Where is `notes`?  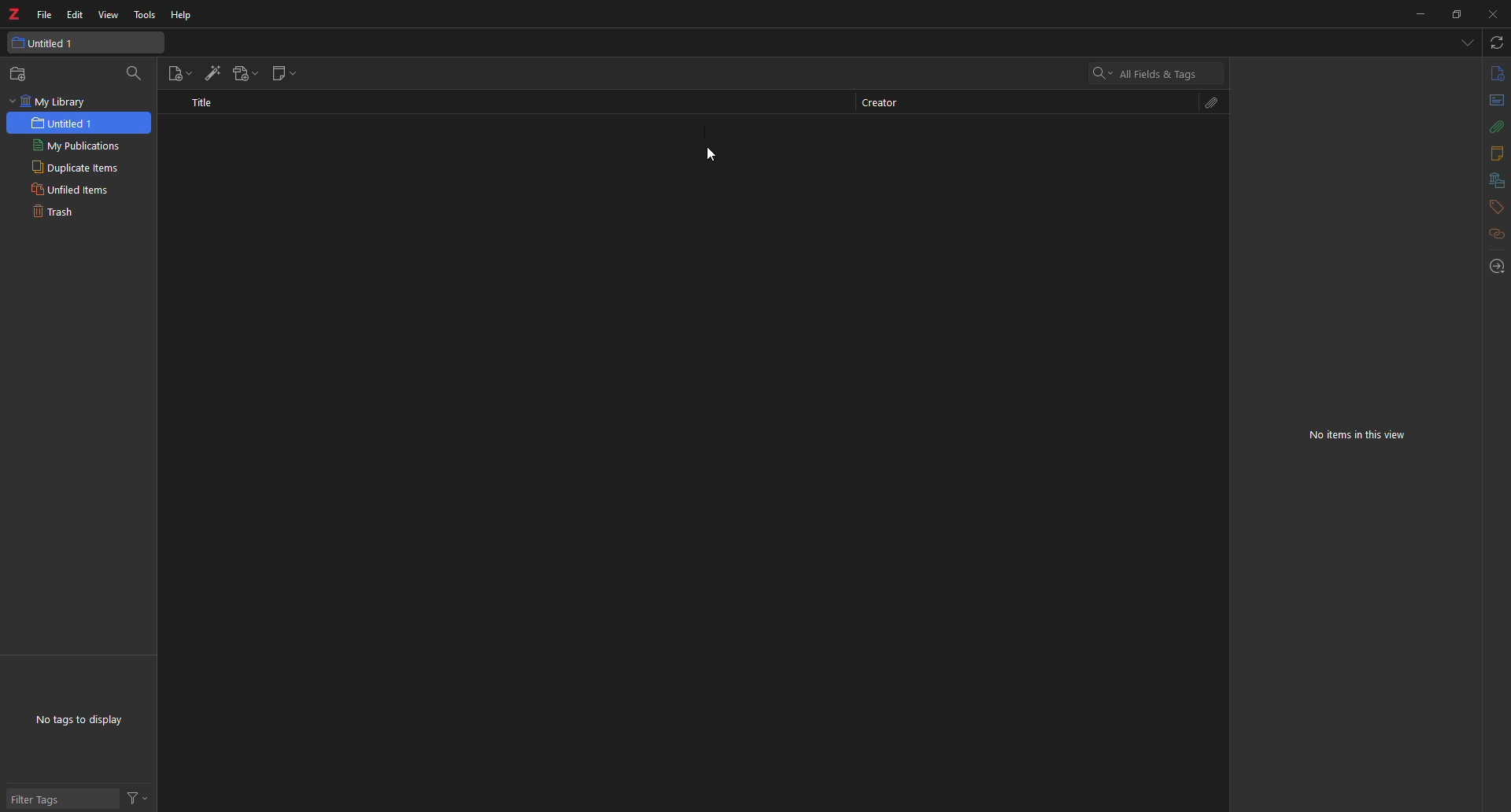 notes is located at coordinates (1490, 154).